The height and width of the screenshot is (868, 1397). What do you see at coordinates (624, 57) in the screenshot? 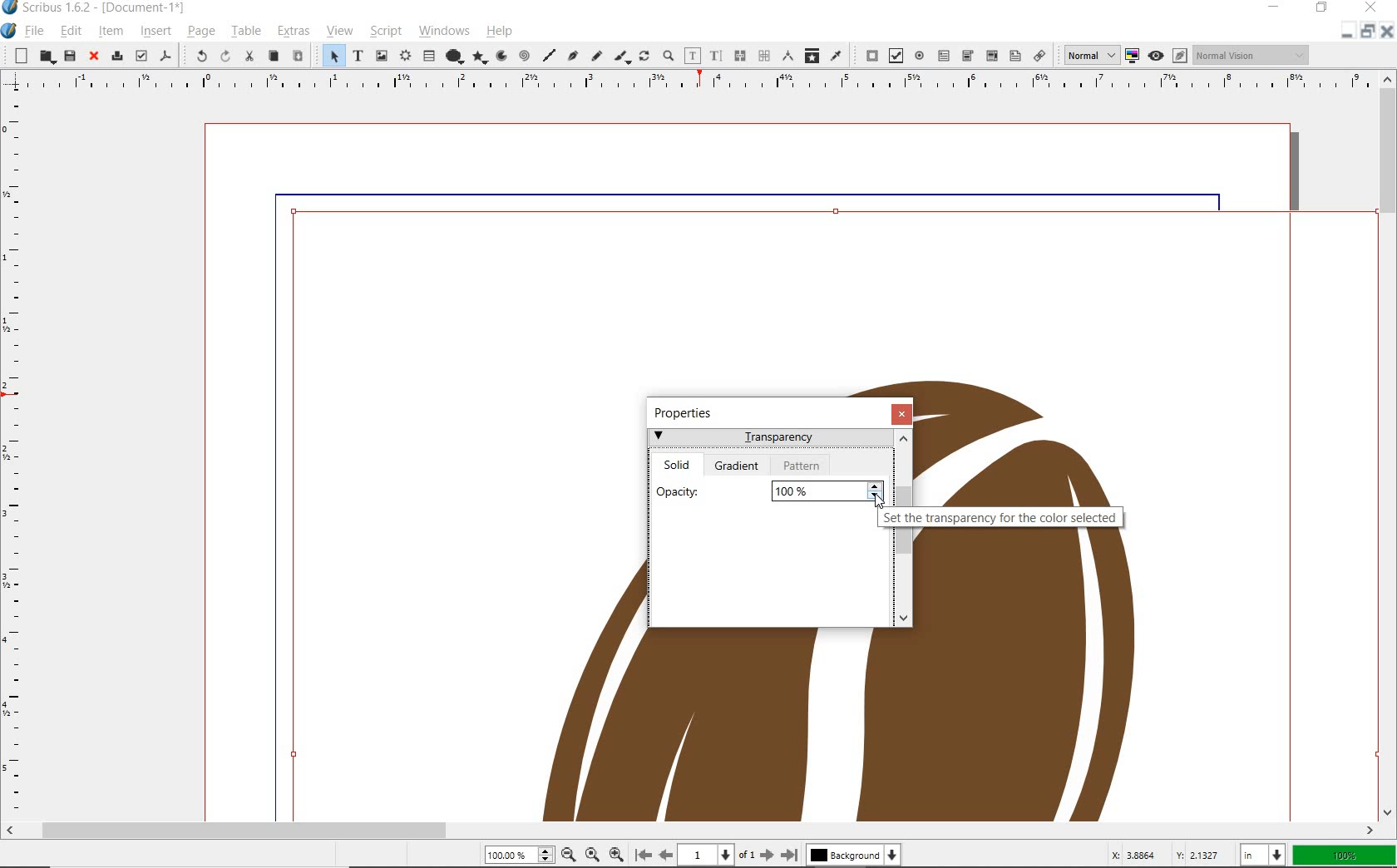
I see `calligraphic line` at bounding box center [624, 57].